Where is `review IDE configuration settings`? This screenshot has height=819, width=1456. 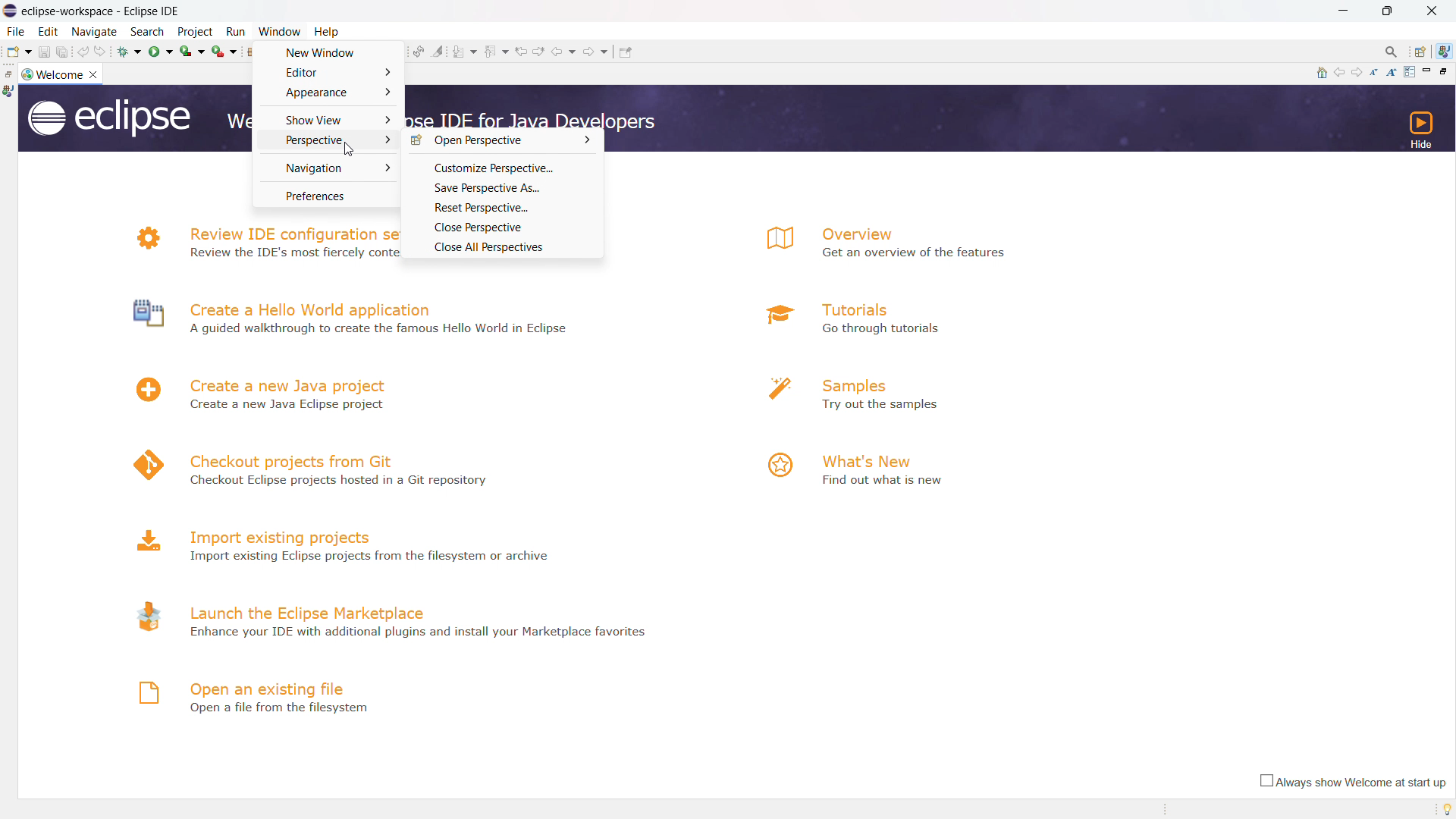
review IDE configuration settings is located at coordinates (290, 231).